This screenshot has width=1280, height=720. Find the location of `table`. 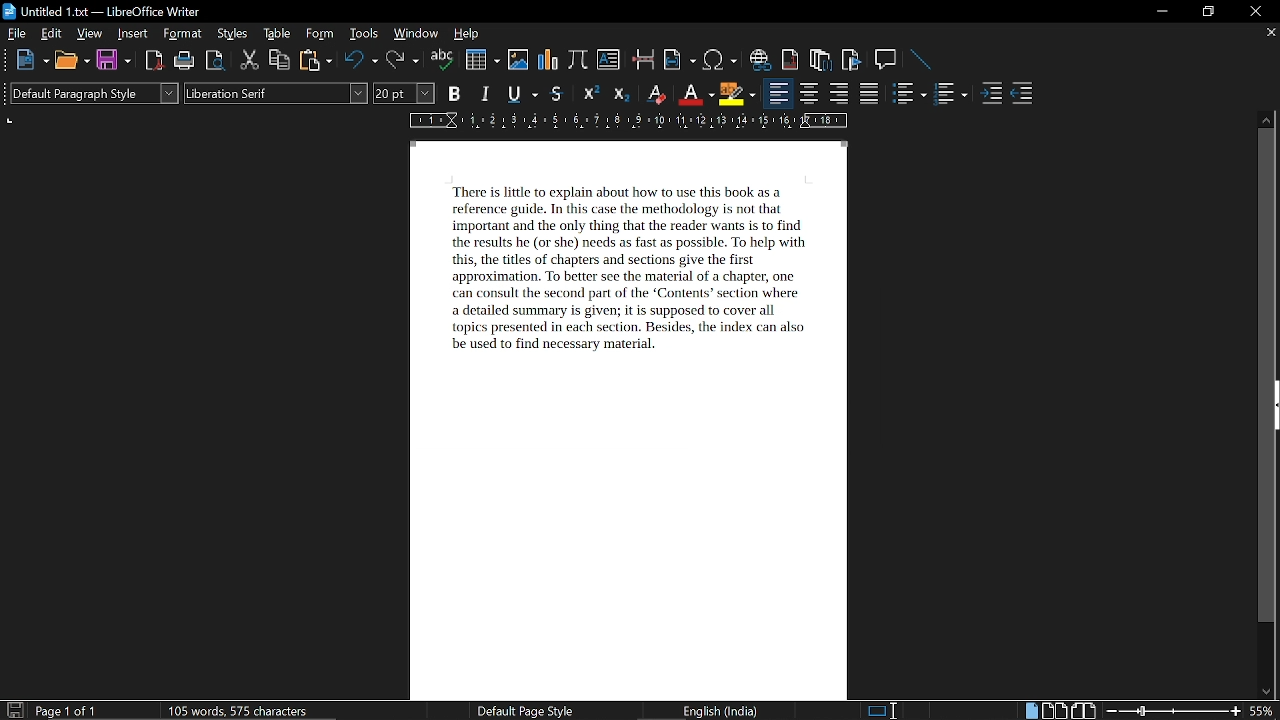

table is located at coordinates (279, 33).